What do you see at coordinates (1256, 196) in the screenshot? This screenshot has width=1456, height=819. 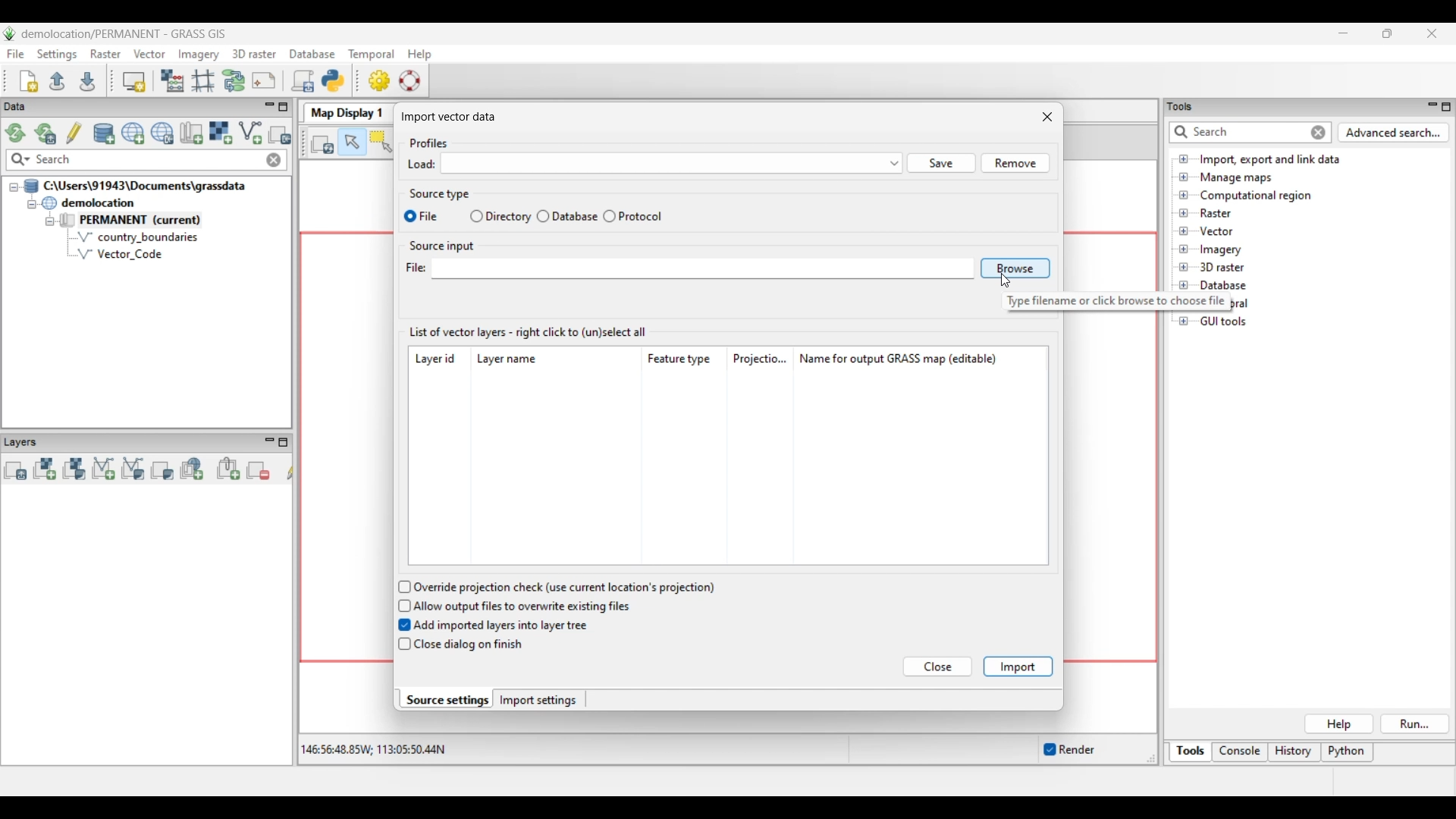 I see `Double click to see files under Computational region` at bounding box center [1256, 196].